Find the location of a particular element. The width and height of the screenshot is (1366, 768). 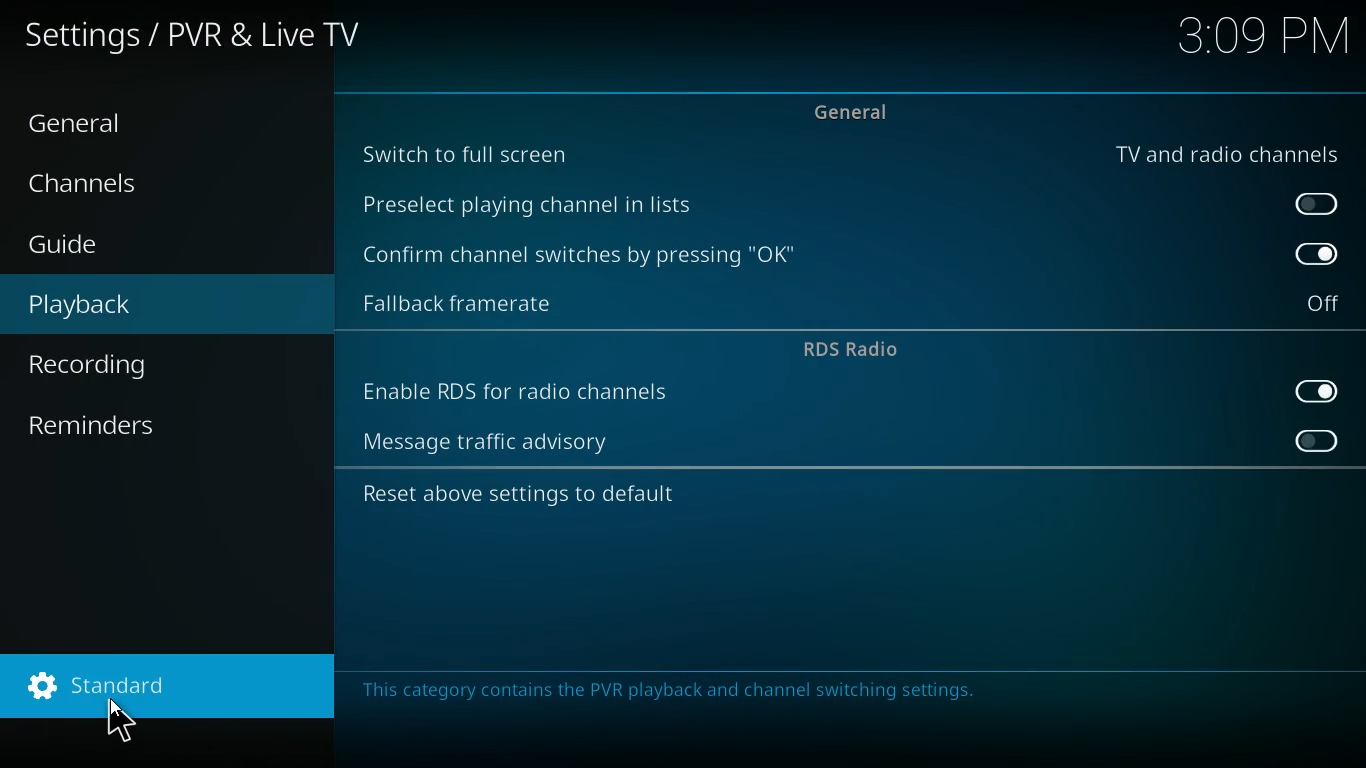

general  is located at coordinates (94, 125).